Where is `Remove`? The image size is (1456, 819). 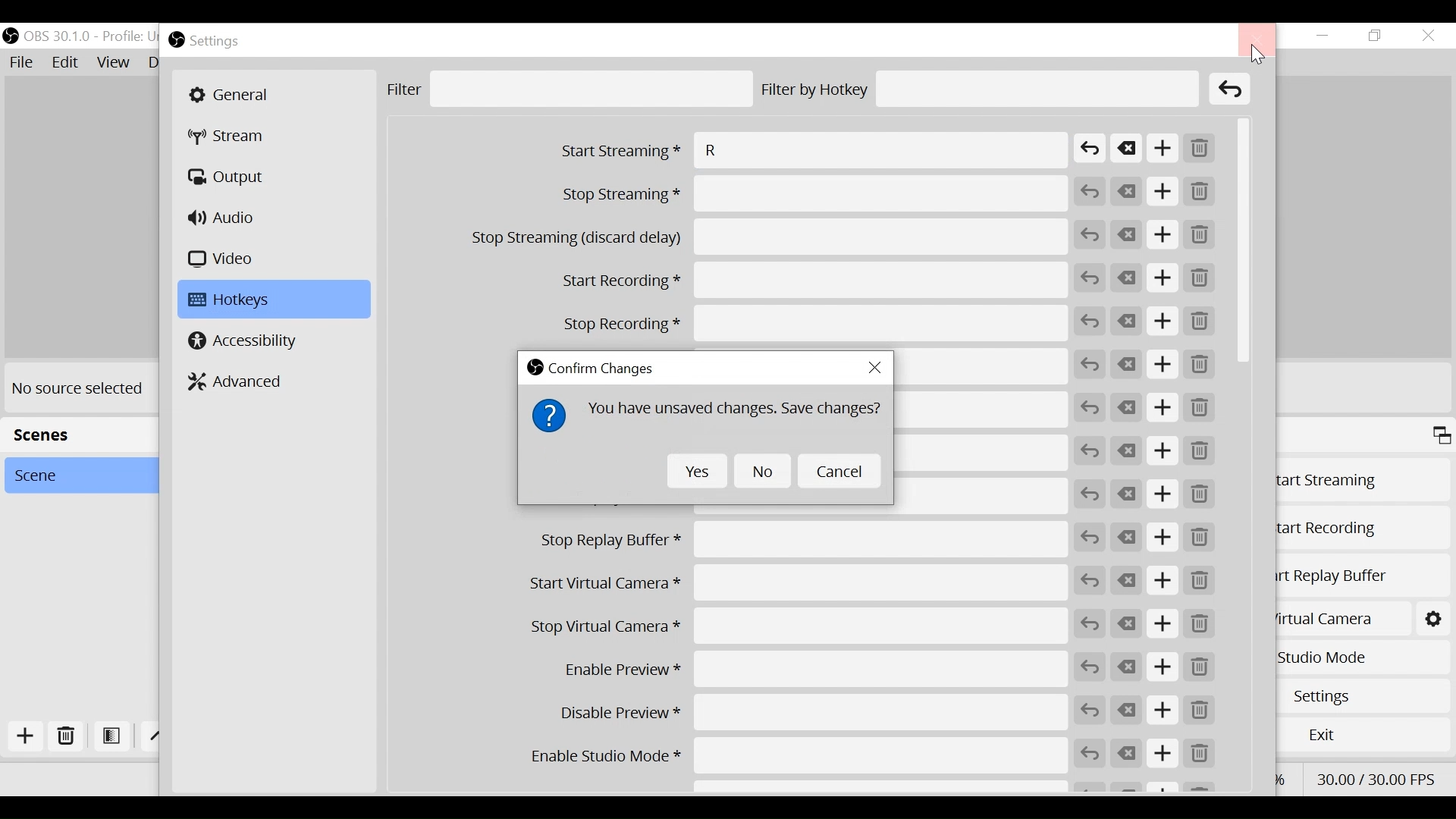
Remove is located at coordinates (1200, 367).